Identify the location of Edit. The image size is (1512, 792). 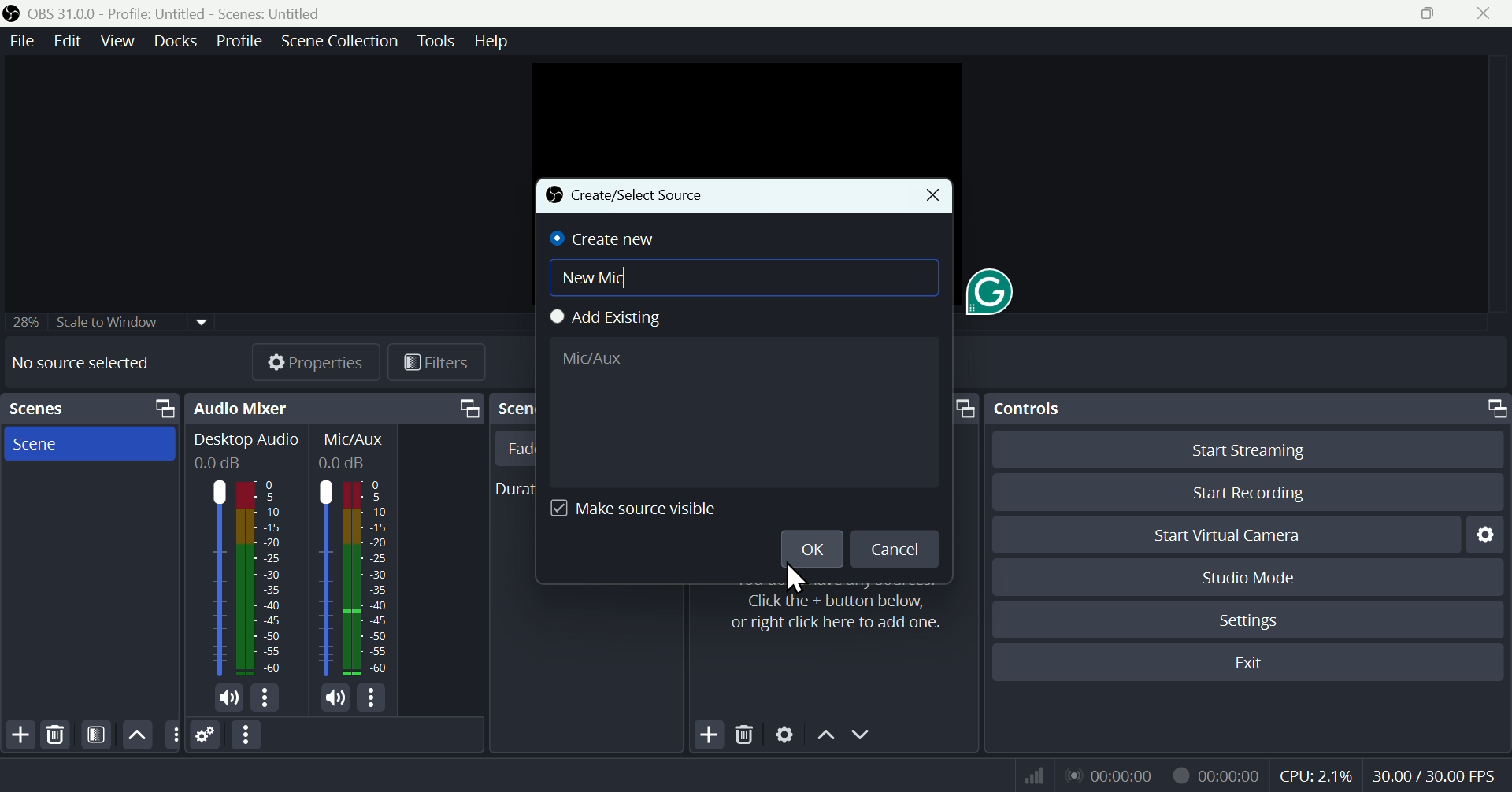
(65, 41).